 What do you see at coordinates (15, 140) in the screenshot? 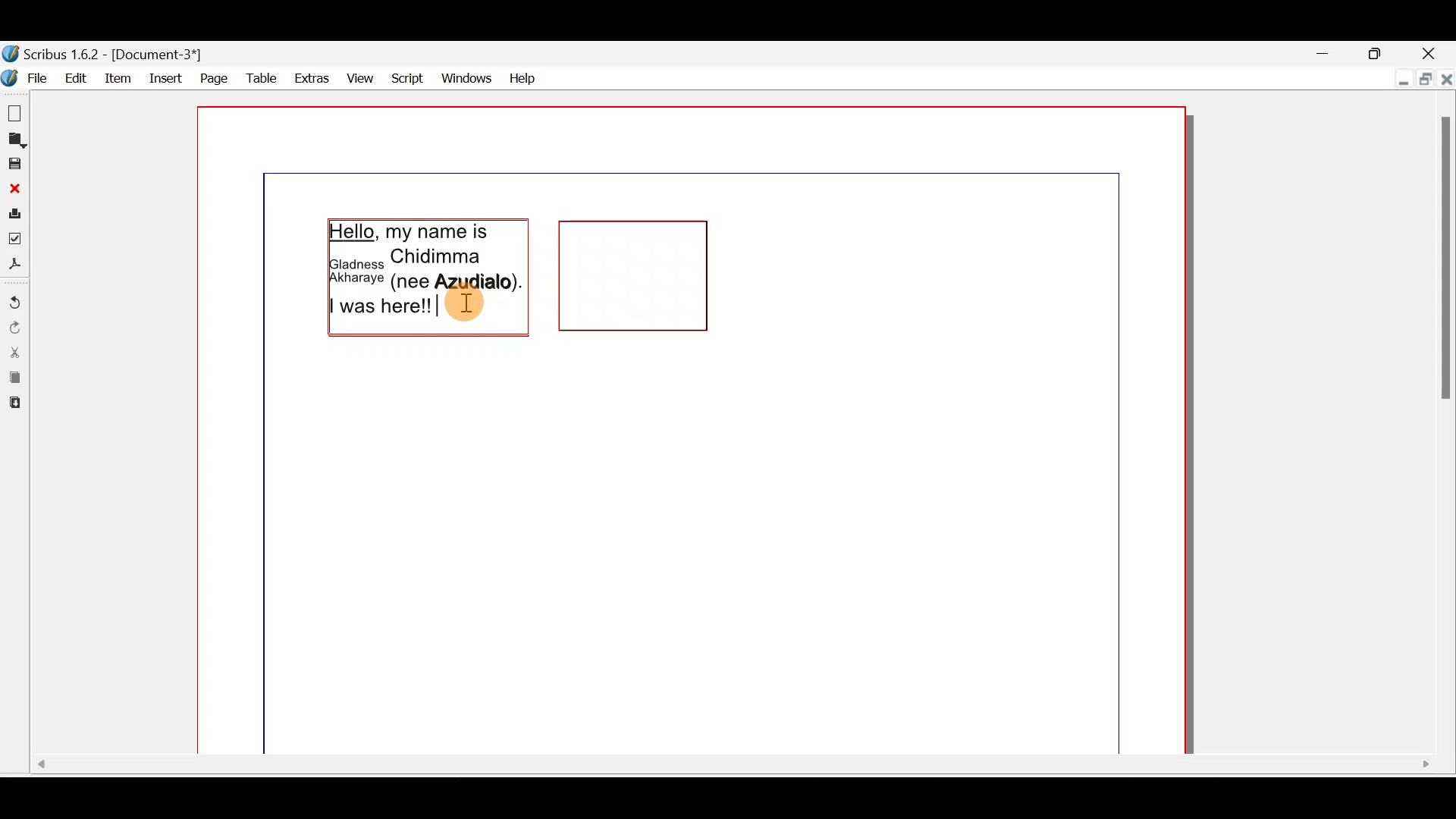
I see `Open` at bounding box center [15, 140].